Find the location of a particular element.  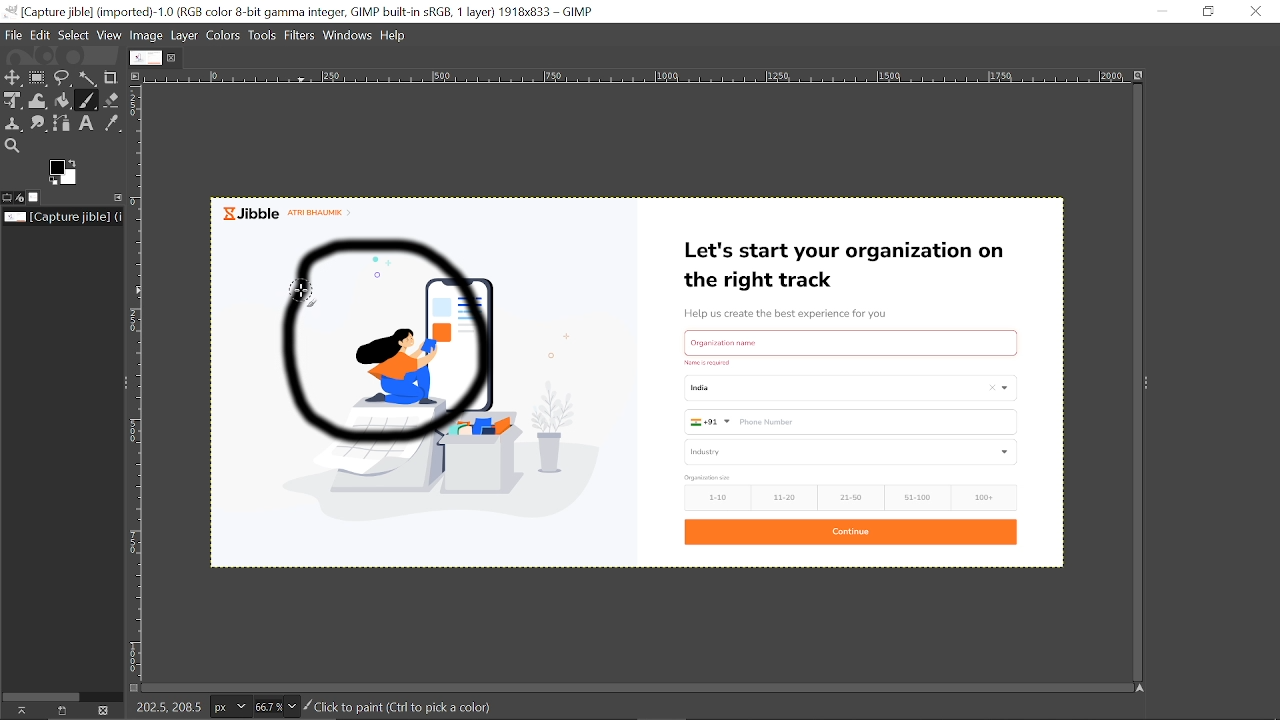

Click to paint(Ctrl to pick a color) is located at coordinates (400, 706).